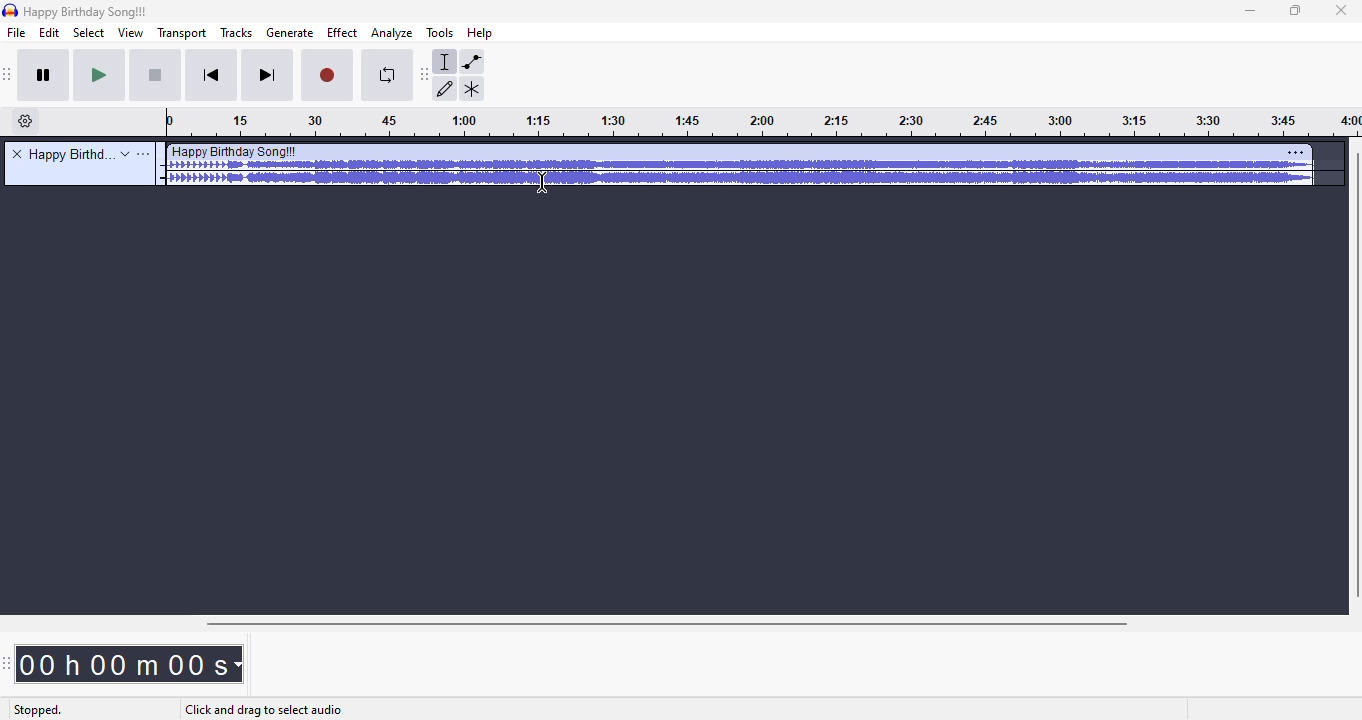 Image resolution: width=1362 pixels, height=720 pixels. Describe the element at coordinates (268, 76) in the screenshot. I see `skip to end` at that location.